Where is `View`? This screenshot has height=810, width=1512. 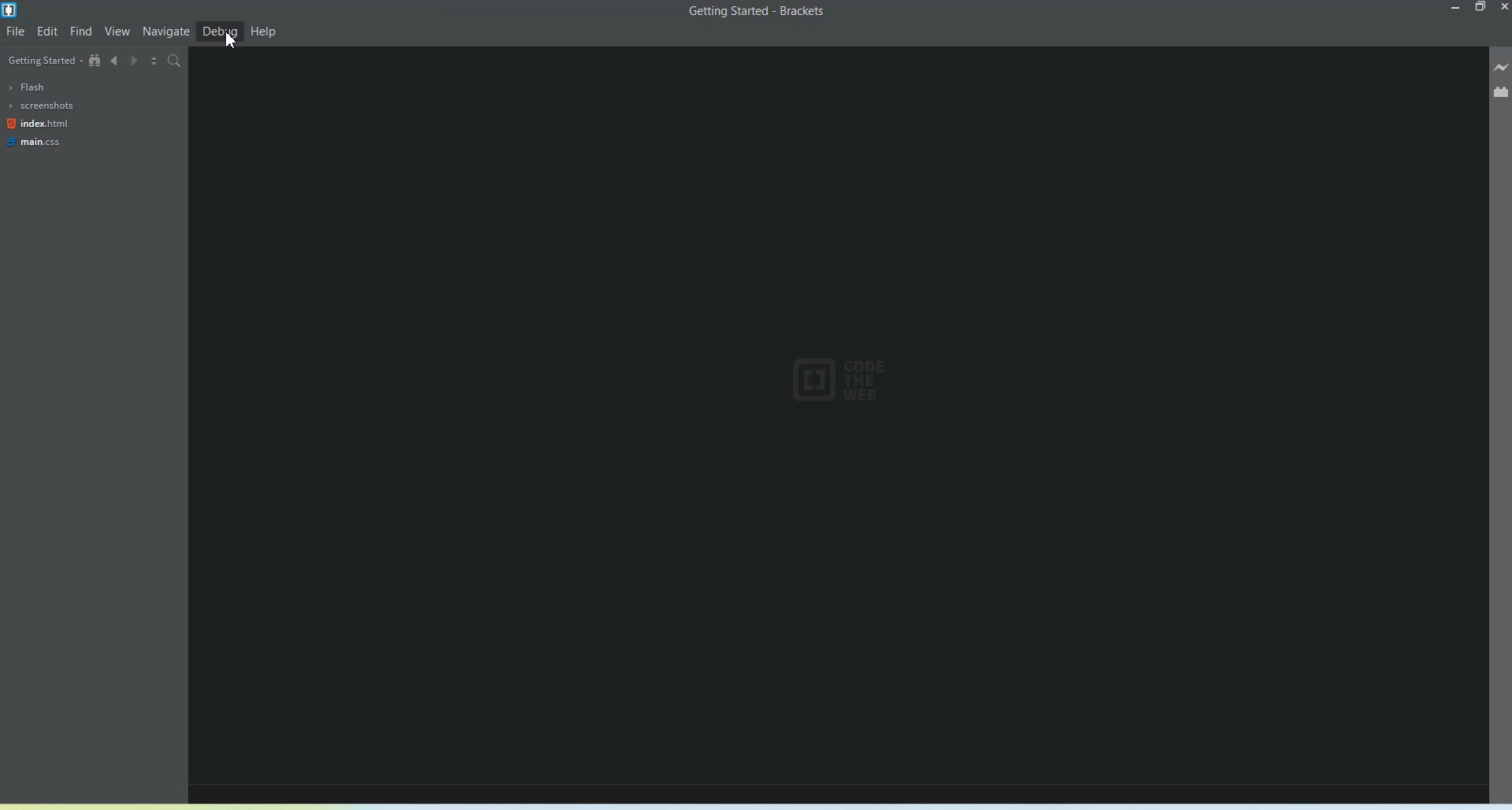
View is located at coordinates (117, 32).